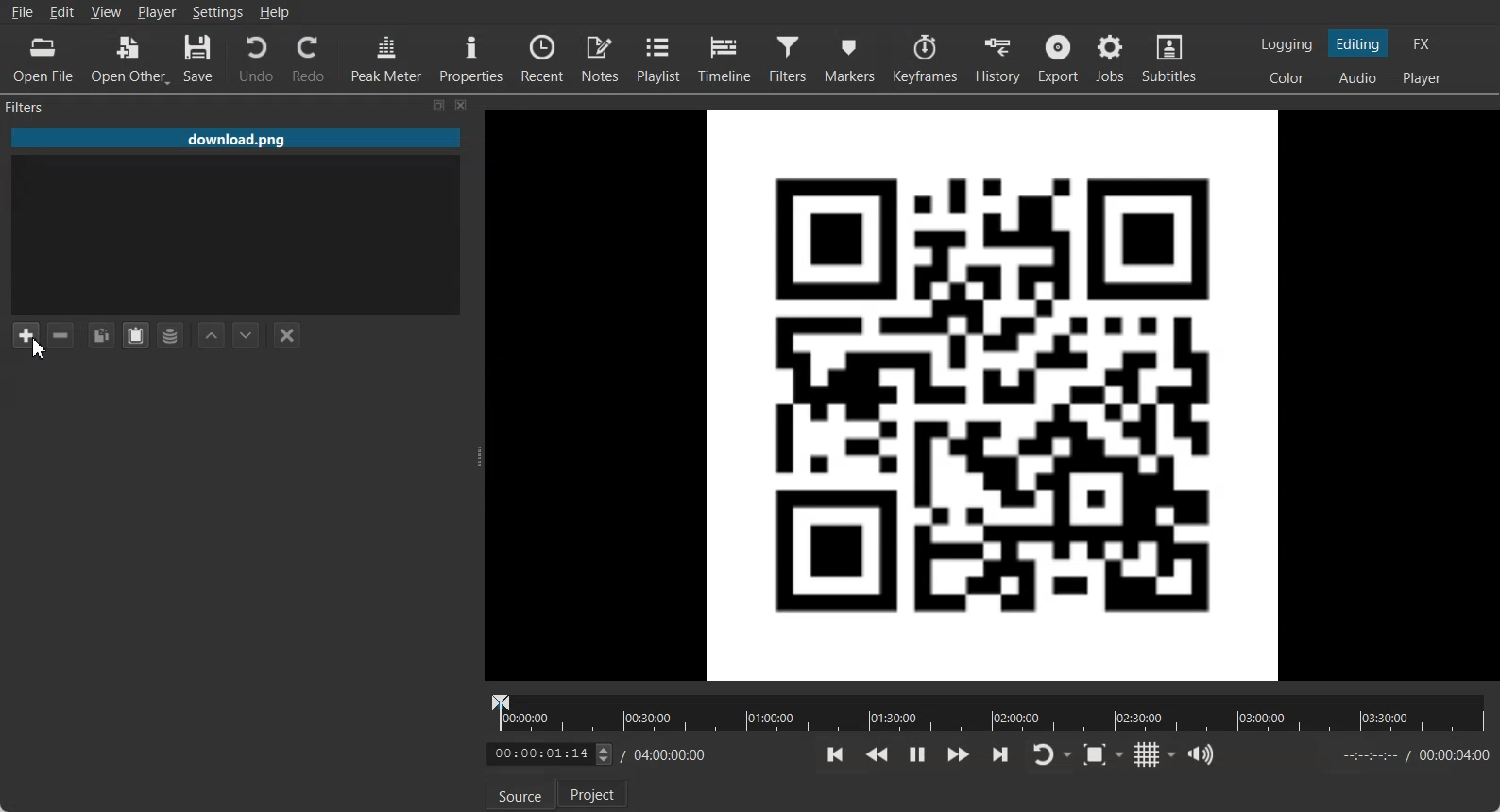 The width and height of the screenshot is (1500, 812). What do you see at coordinates (481, 457) in the screenshot?
I see `Window adjuster` at bounding box center [481, 457].